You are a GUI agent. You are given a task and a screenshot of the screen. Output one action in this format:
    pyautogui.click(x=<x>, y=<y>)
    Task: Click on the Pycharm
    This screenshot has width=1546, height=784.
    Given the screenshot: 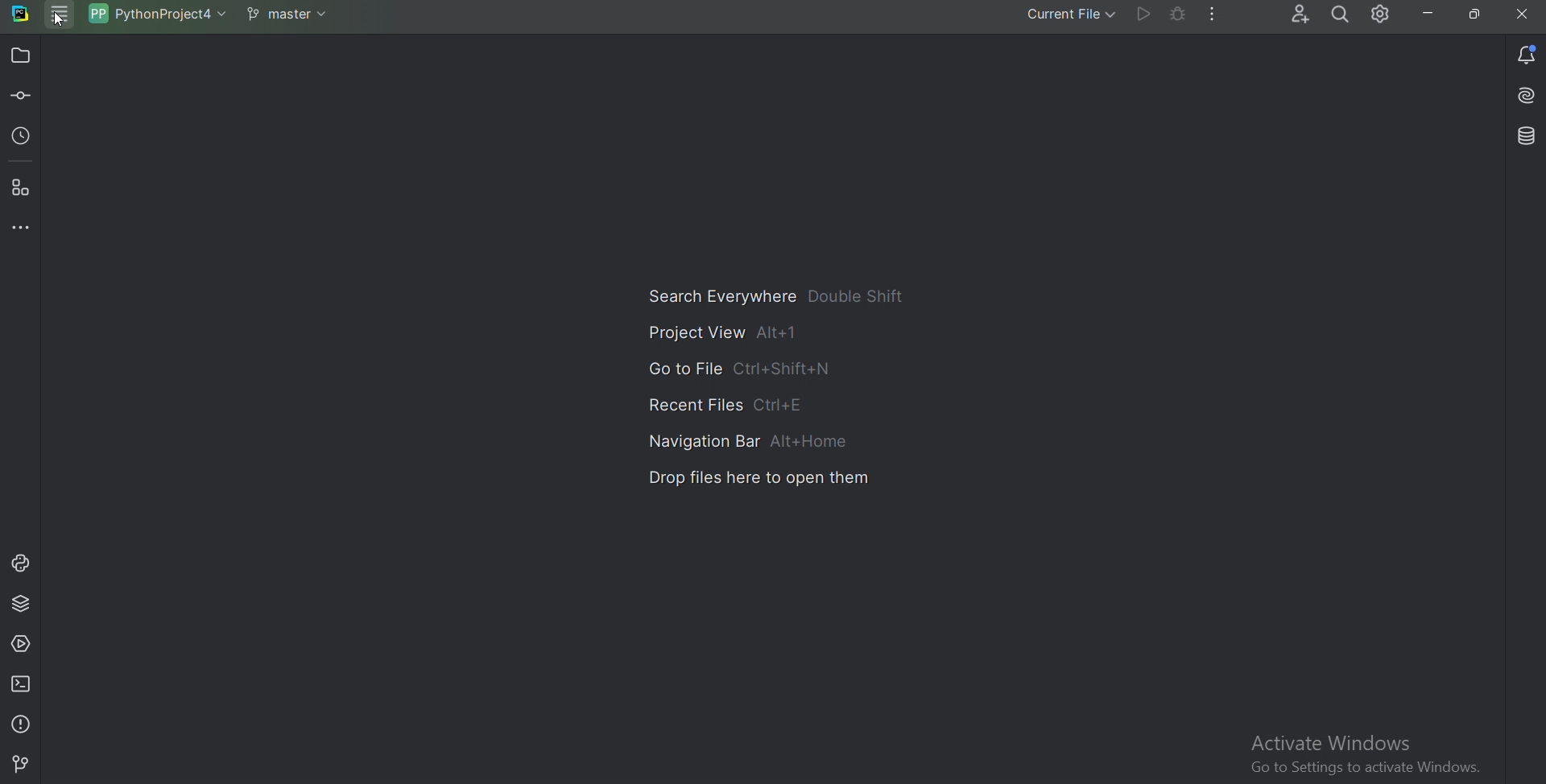 What is the action you would take?
    pyautogui.click(x=21, y=14)
    